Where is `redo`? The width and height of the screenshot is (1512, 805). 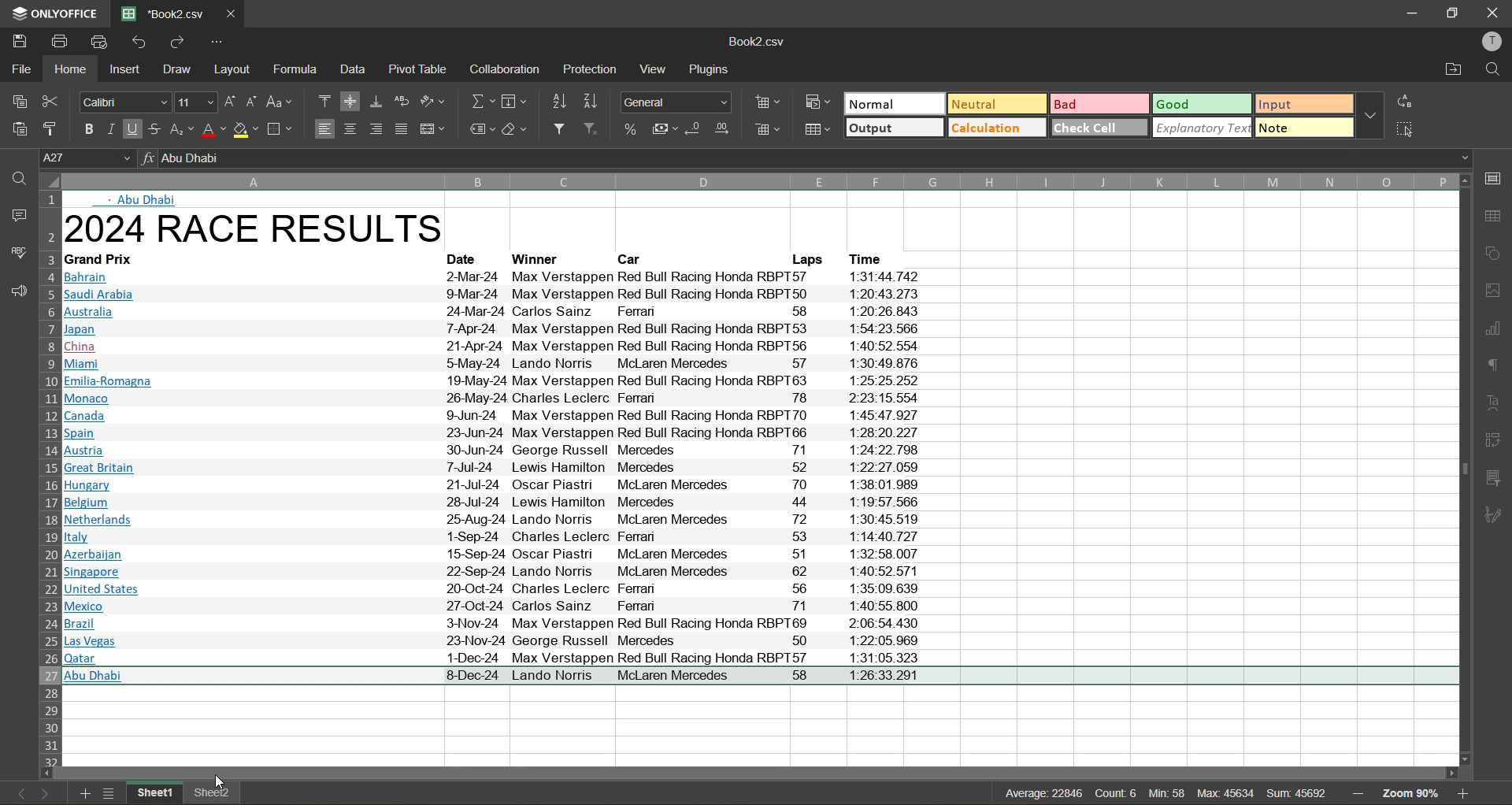
redo is located at coordinates (175, 41).